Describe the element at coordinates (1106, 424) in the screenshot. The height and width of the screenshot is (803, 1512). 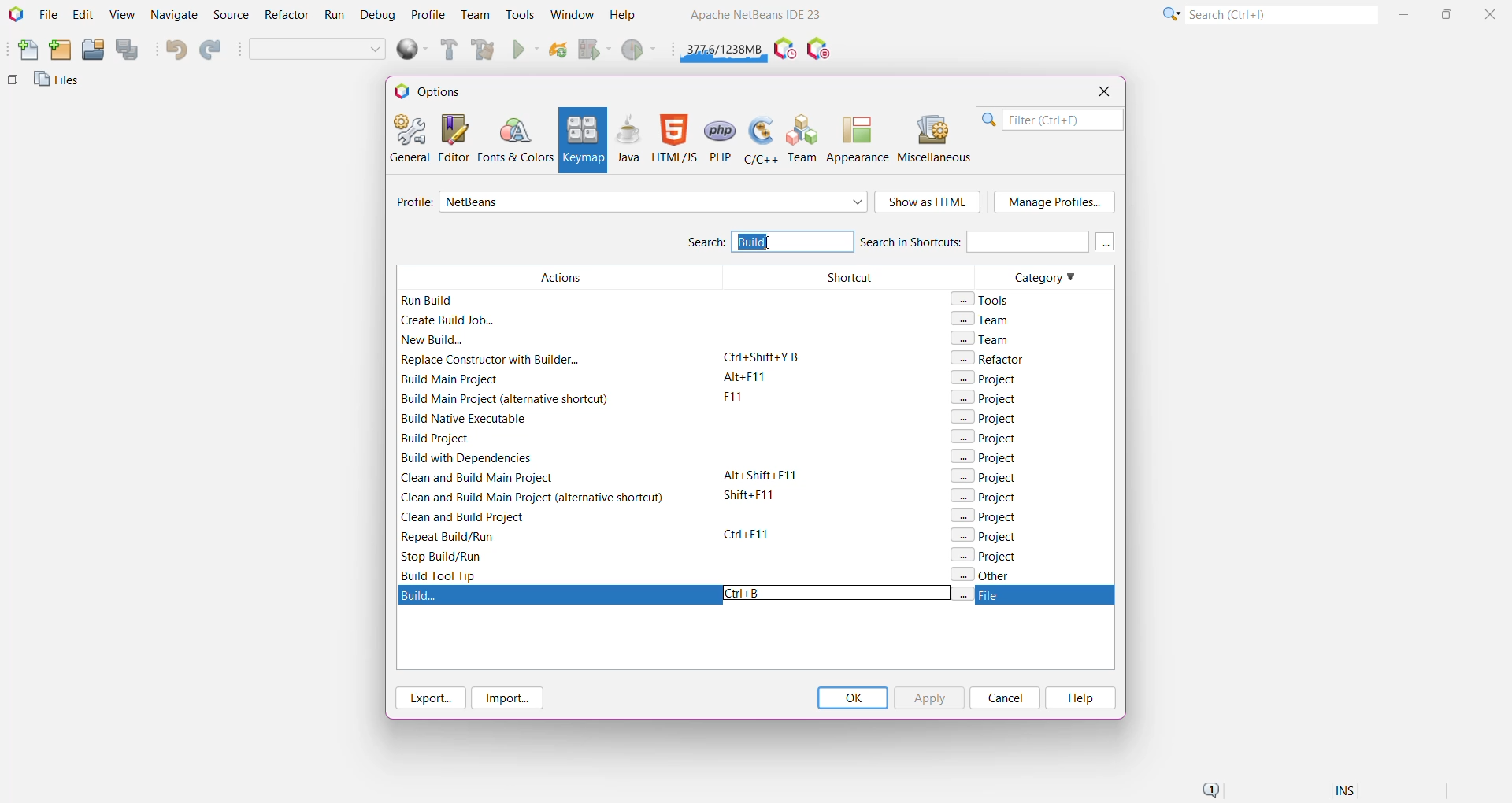
I see `Vertical Scroll Bar` at that location.